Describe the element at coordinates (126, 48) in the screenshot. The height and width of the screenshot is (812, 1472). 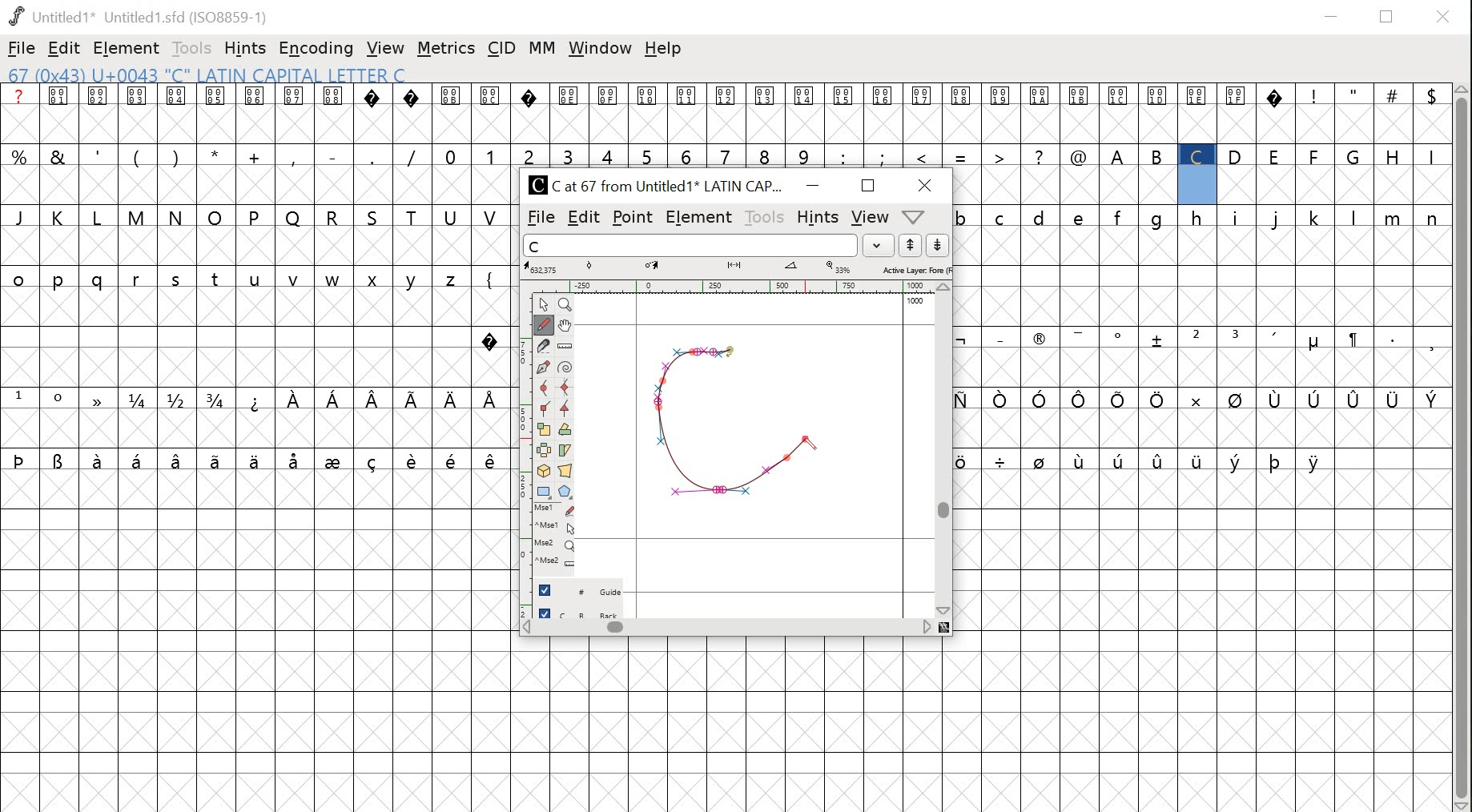
I see `element` at that location.